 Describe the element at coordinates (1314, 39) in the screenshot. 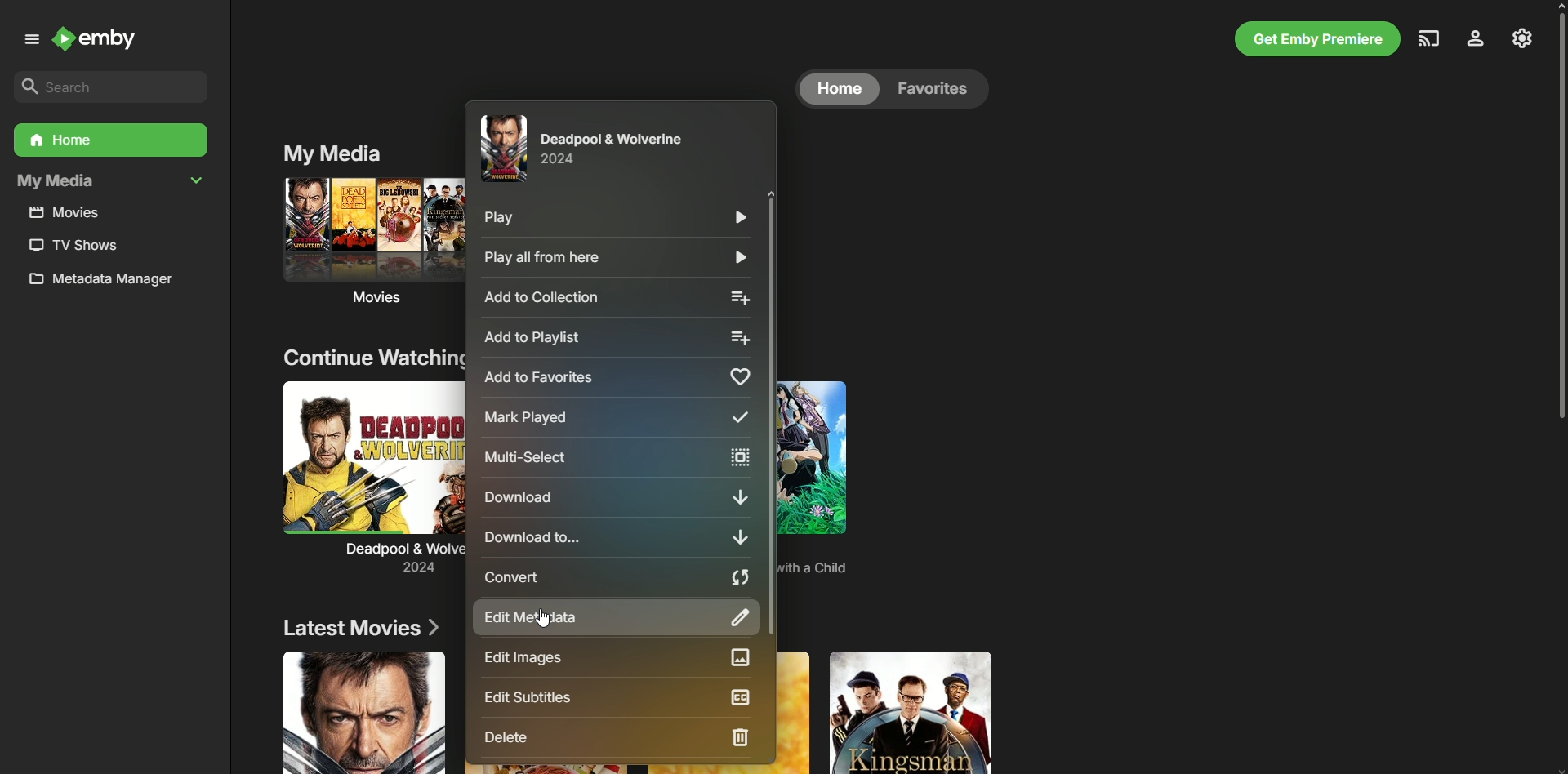

I see `Get Emby Premiere` at that location.